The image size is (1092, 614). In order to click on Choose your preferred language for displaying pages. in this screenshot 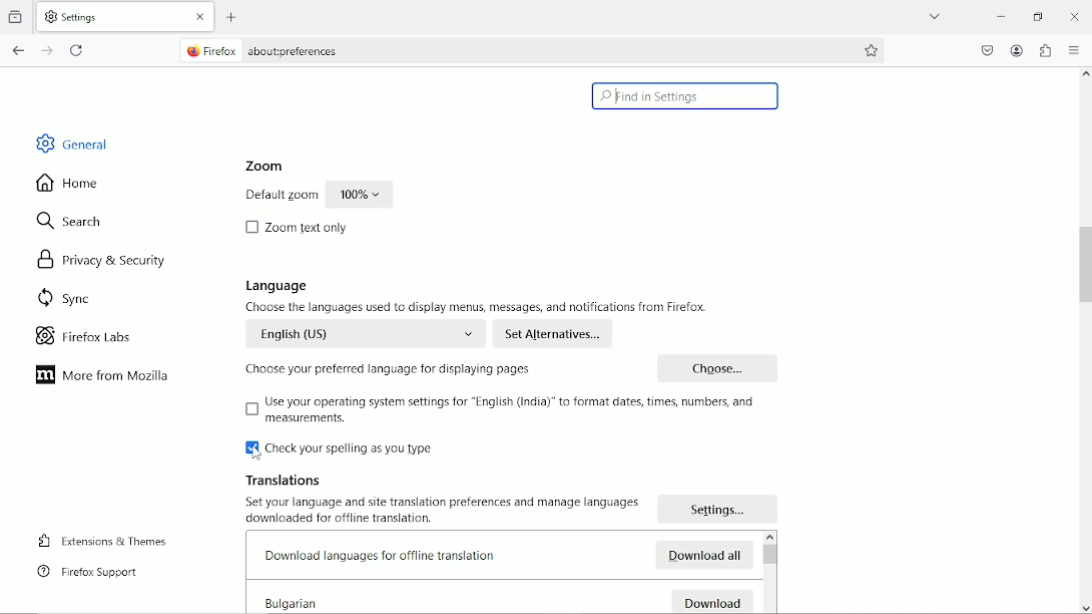, I will do `click(387, 371)`.